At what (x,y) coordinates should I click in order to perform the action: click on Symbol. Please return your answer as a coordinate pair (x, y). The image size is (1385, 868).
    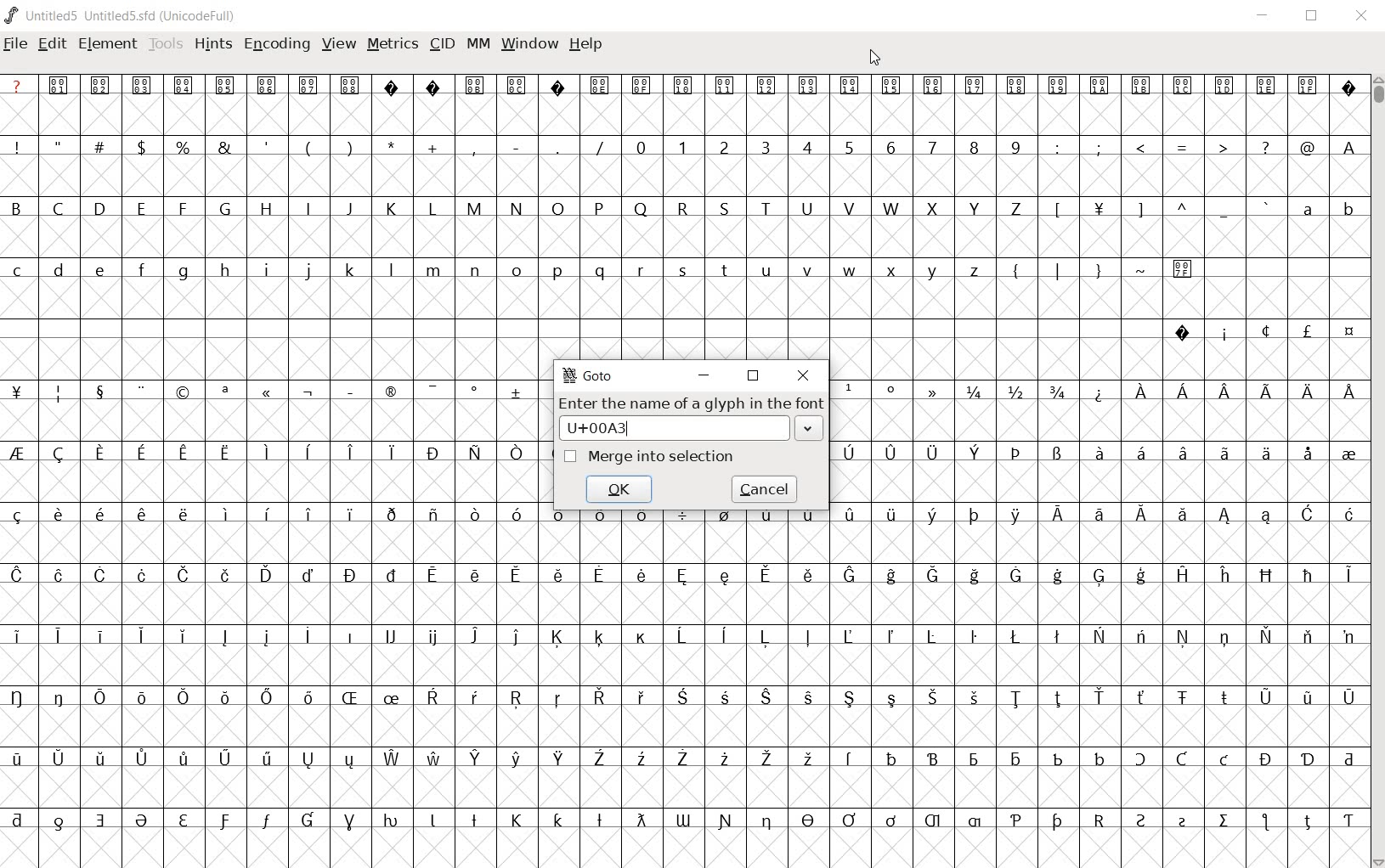
    Looking at the image, I should click on (517, 637).